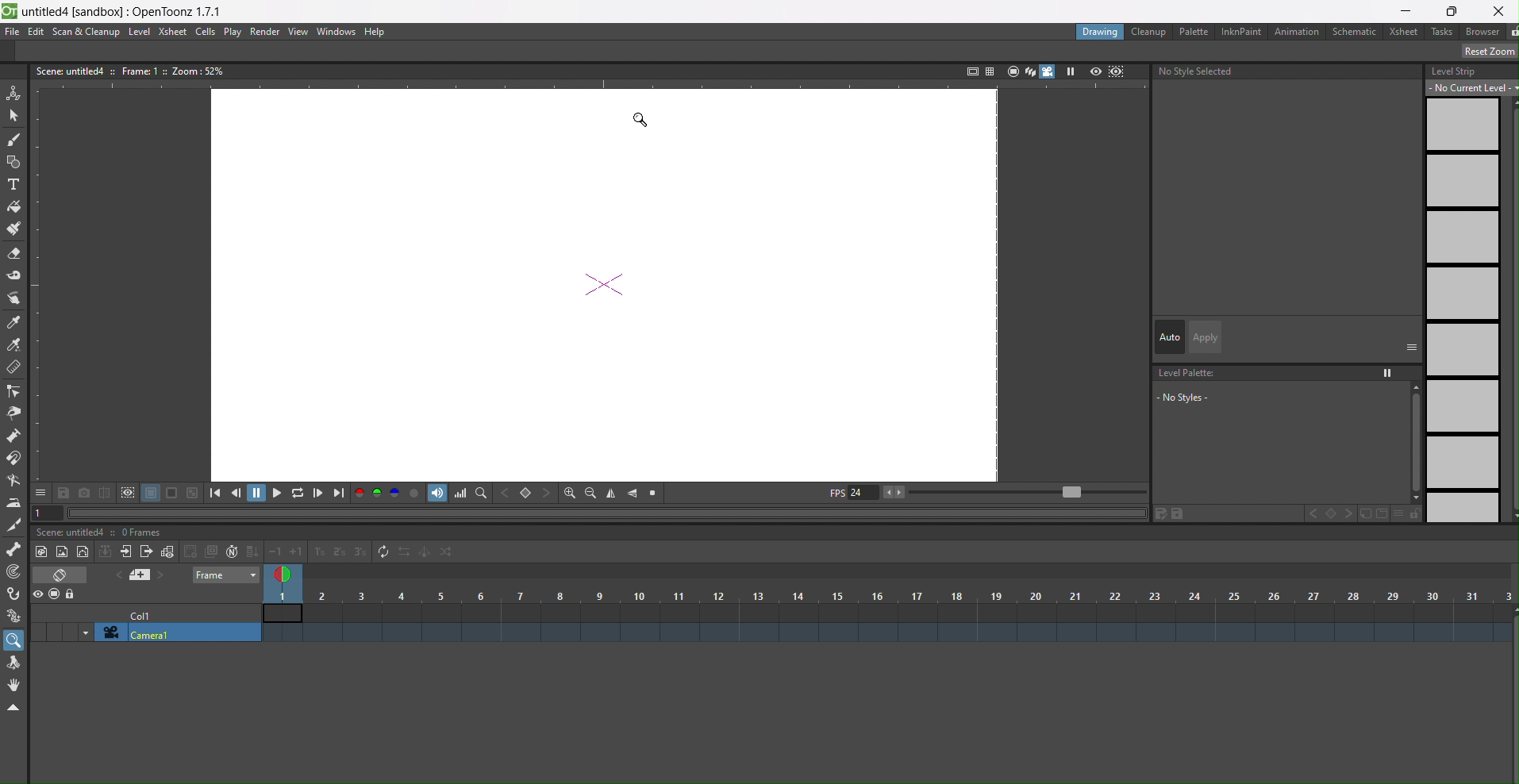 Image resolution: width=1519 pixels, height=784 pixels. Describe the element at coordinates (1509, 32) in the screenshot. I see `unlocked` at that location.